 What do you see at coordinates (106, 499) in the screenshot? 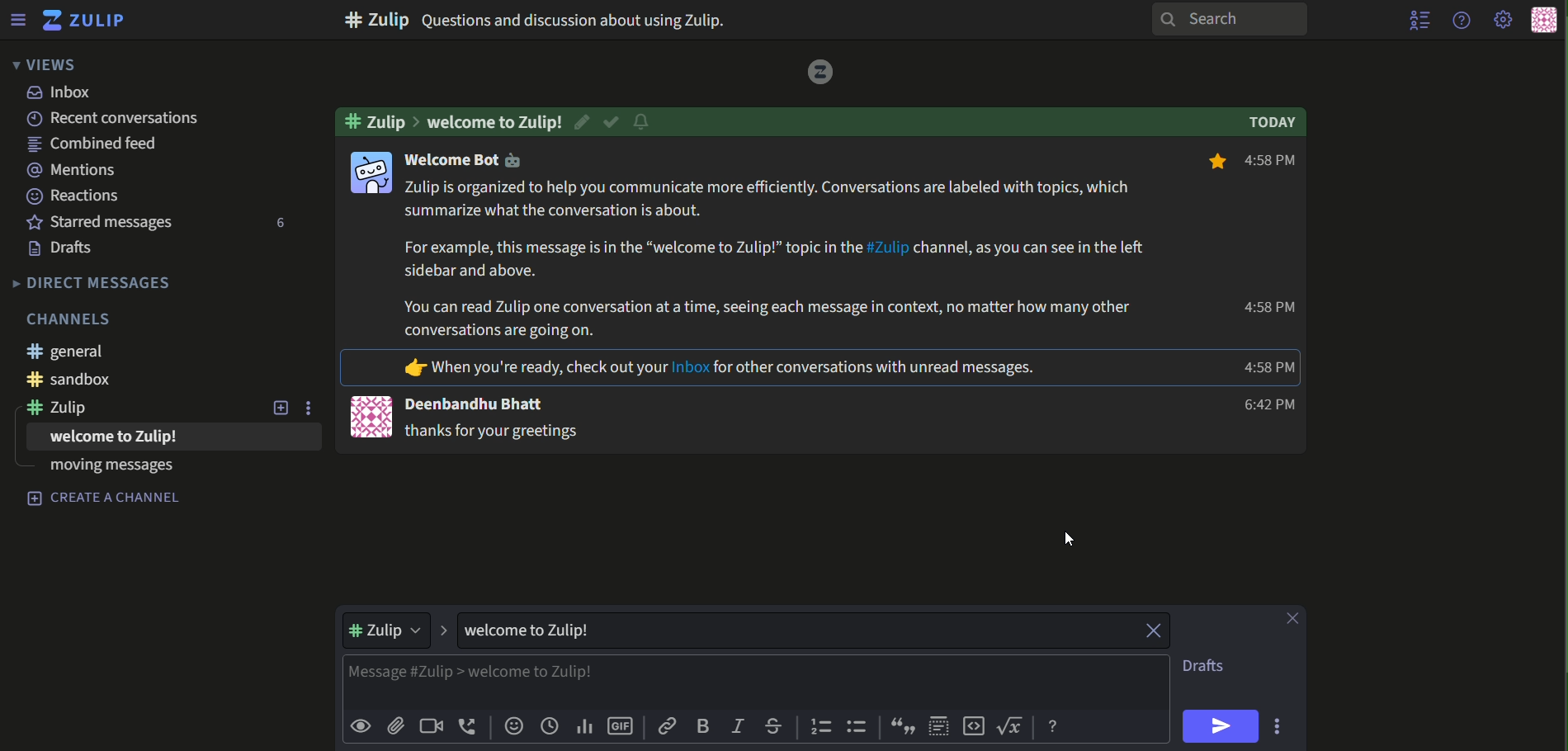
I see `Text` at bounding box center [106, 499].